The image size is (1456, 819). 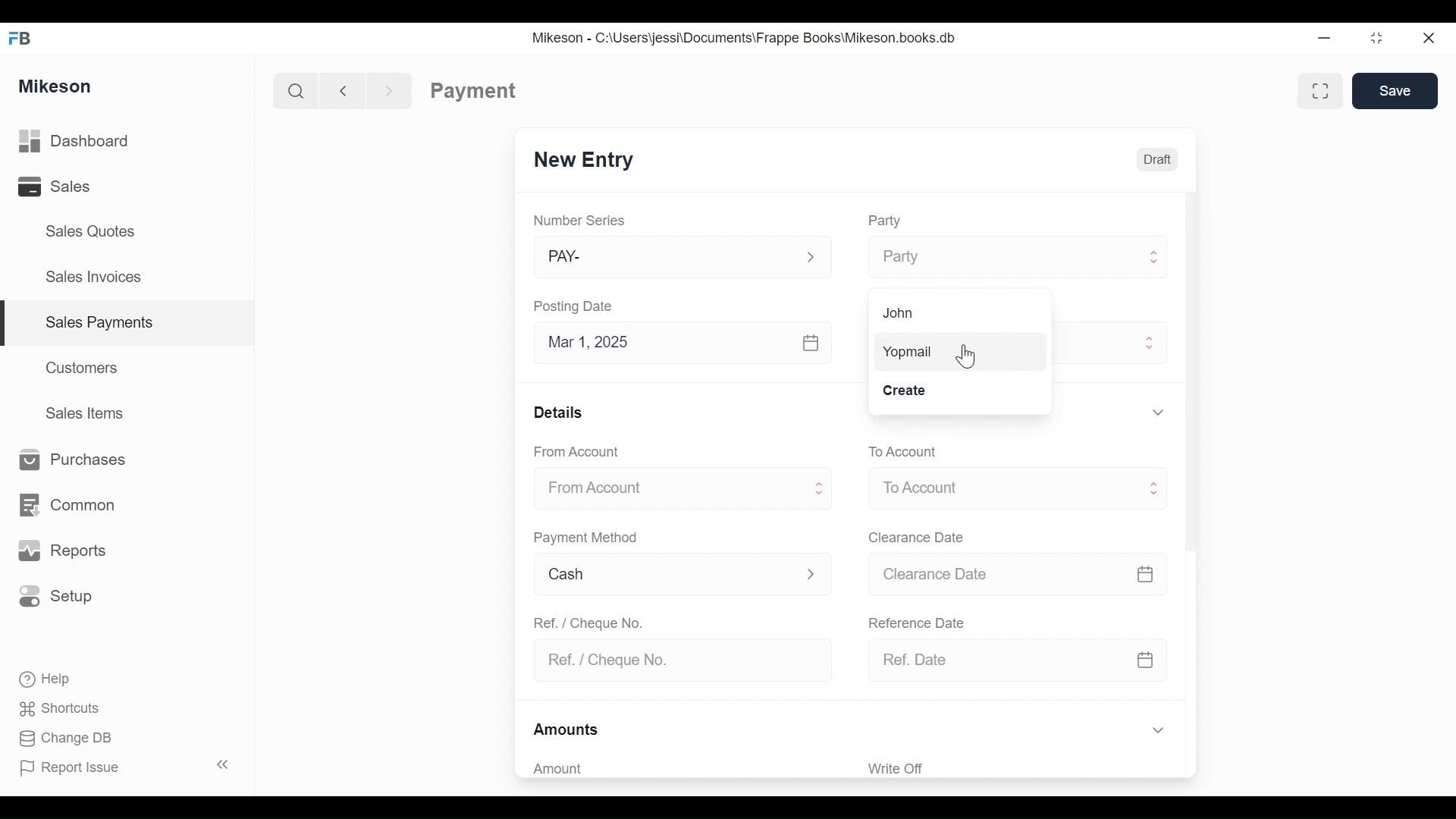 I want to click on PAY-, so click(x=682, y=256).